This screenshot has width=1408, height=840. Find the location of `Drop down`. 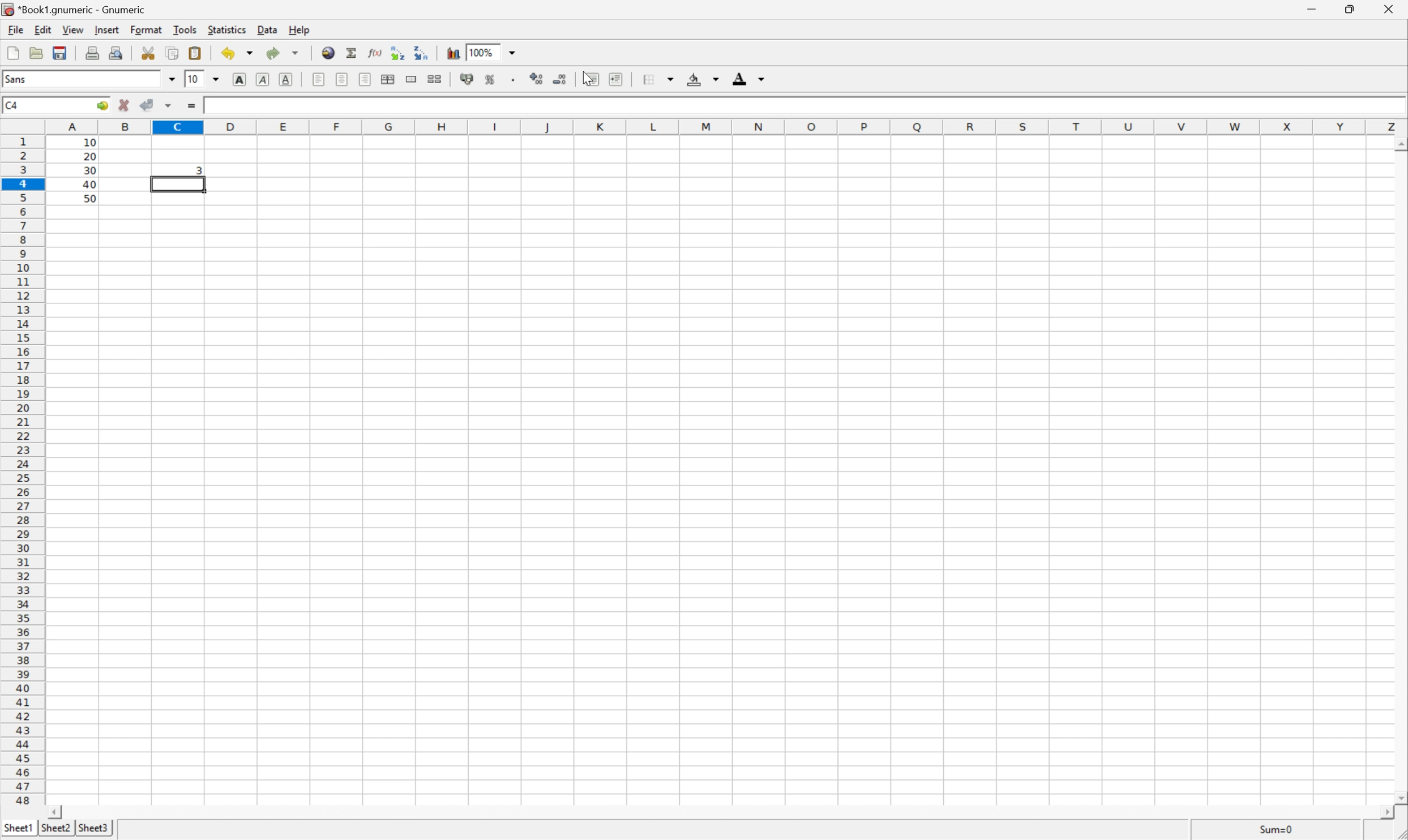

Drop down is located at coordinates (670, 78).